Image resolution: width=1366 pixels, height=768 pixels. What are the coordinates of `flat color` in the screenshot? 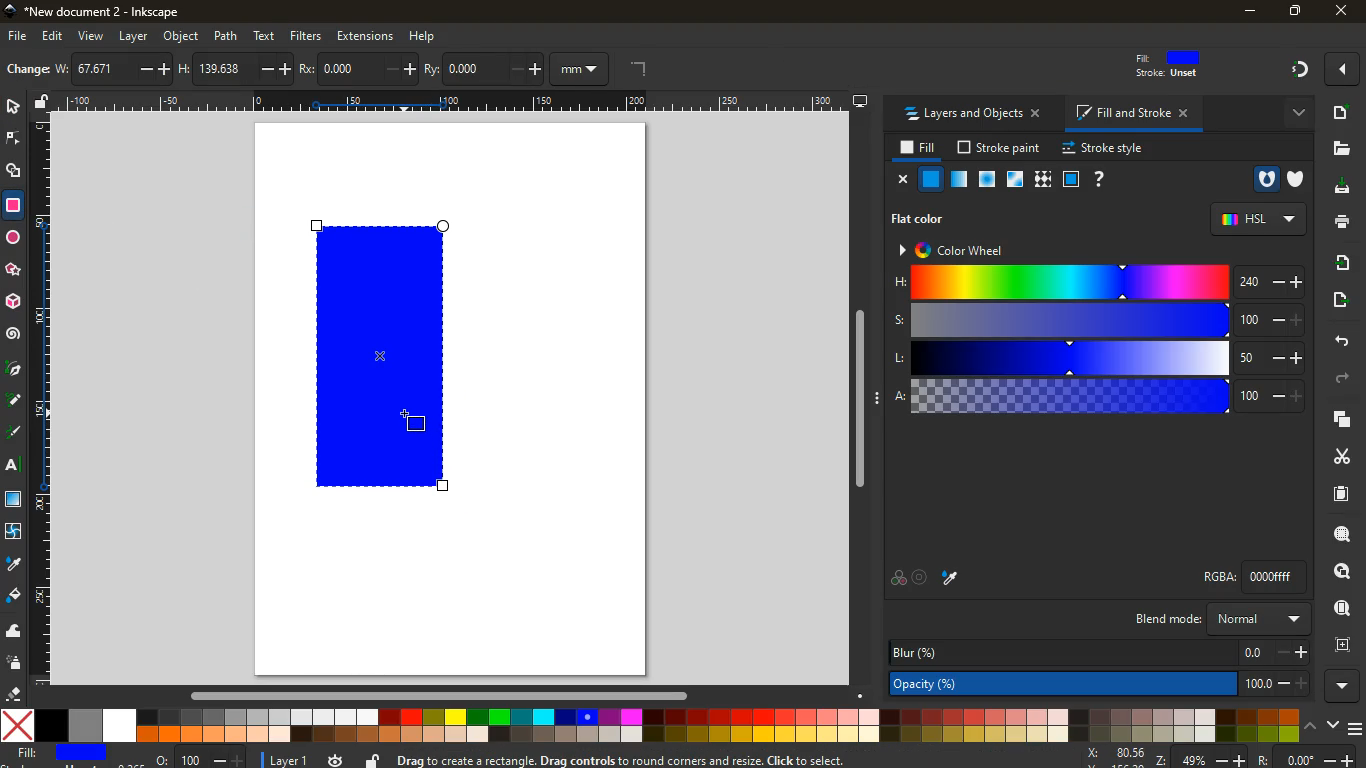 It's located at (916, 219).